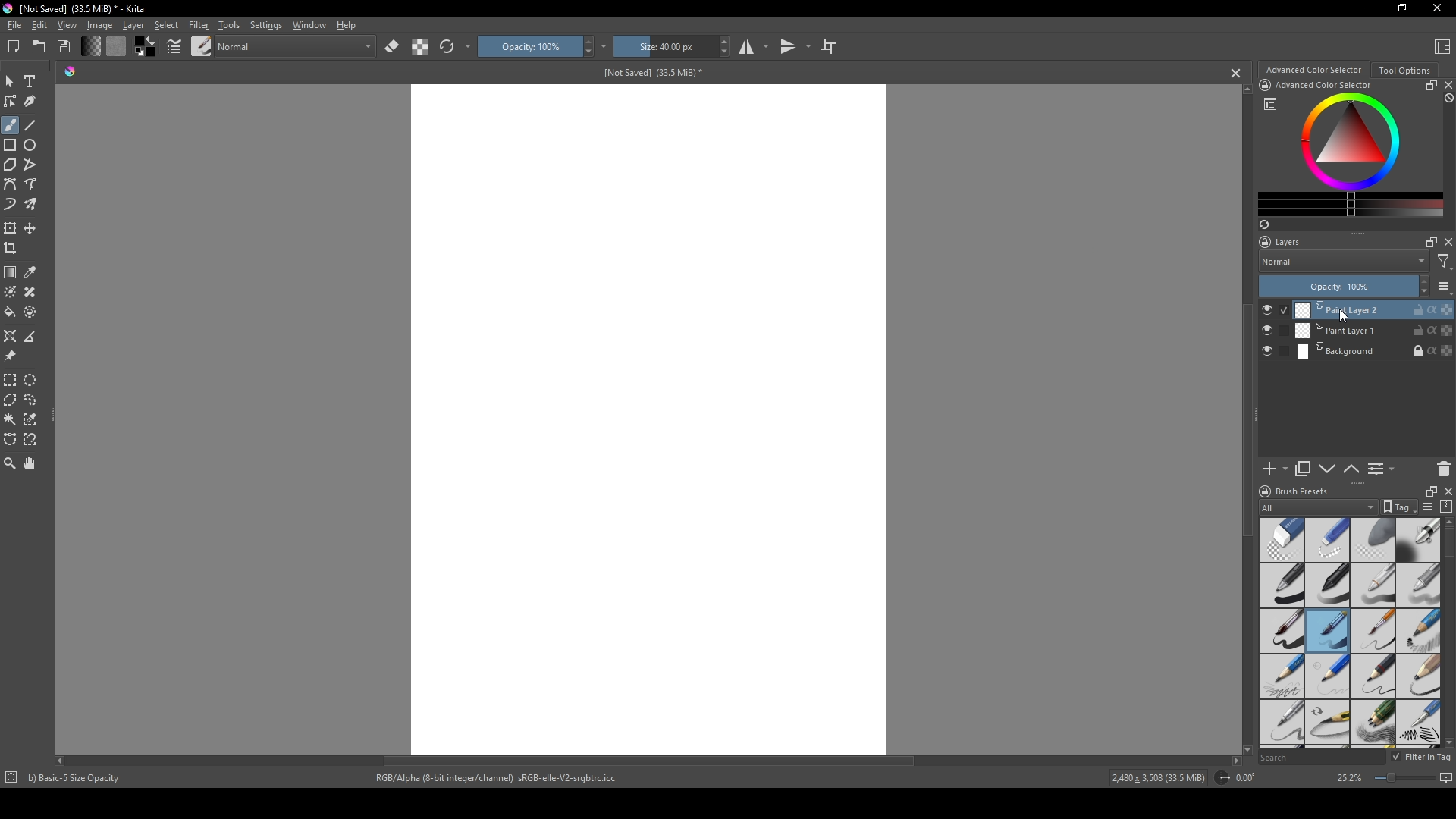  I want to click on normal, so click(295, 45).